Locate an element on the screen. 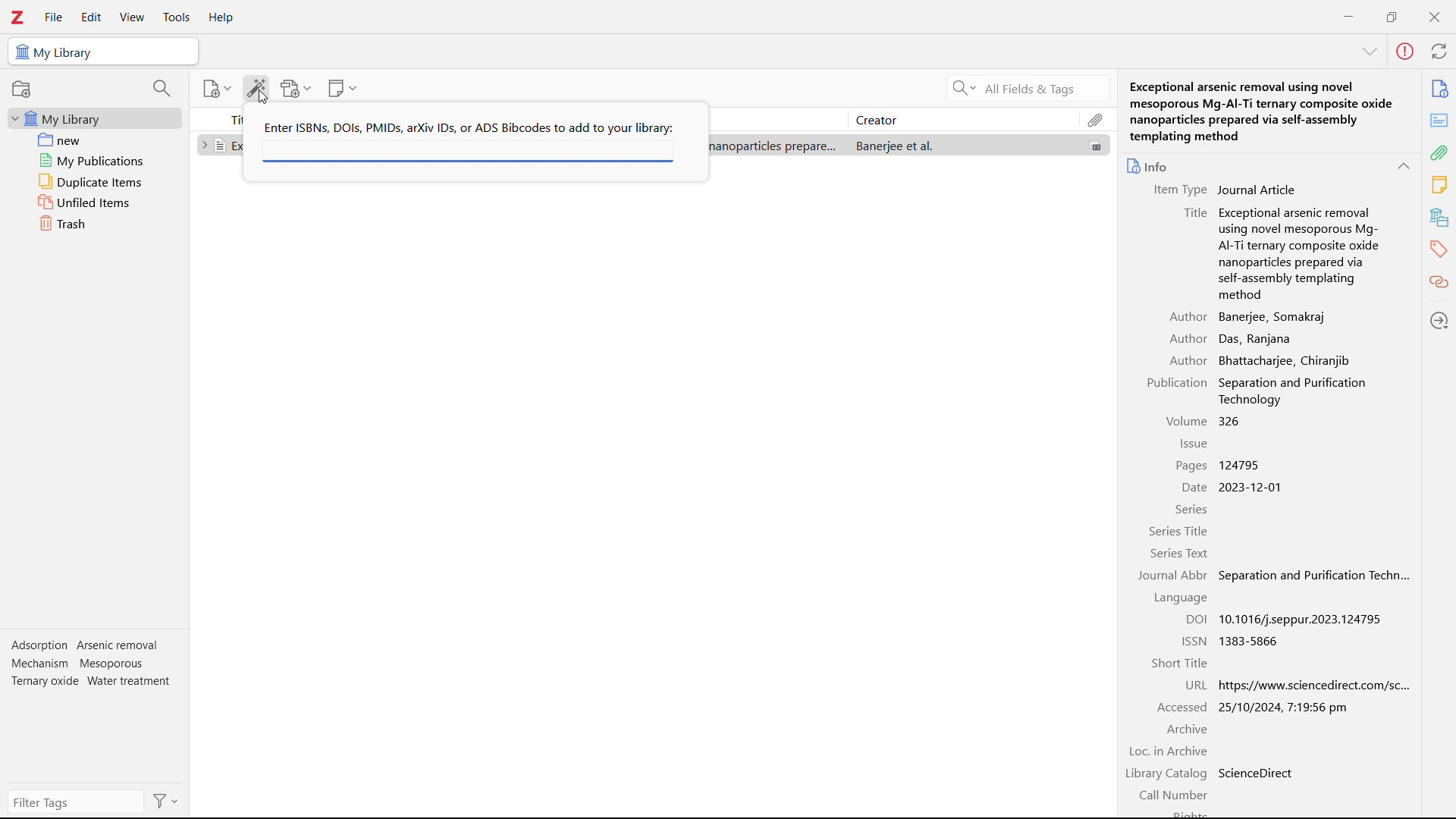 Image resolution: width=1456 pixels, height=819 pixels. unfiled items is located at coordinates (95, 202).